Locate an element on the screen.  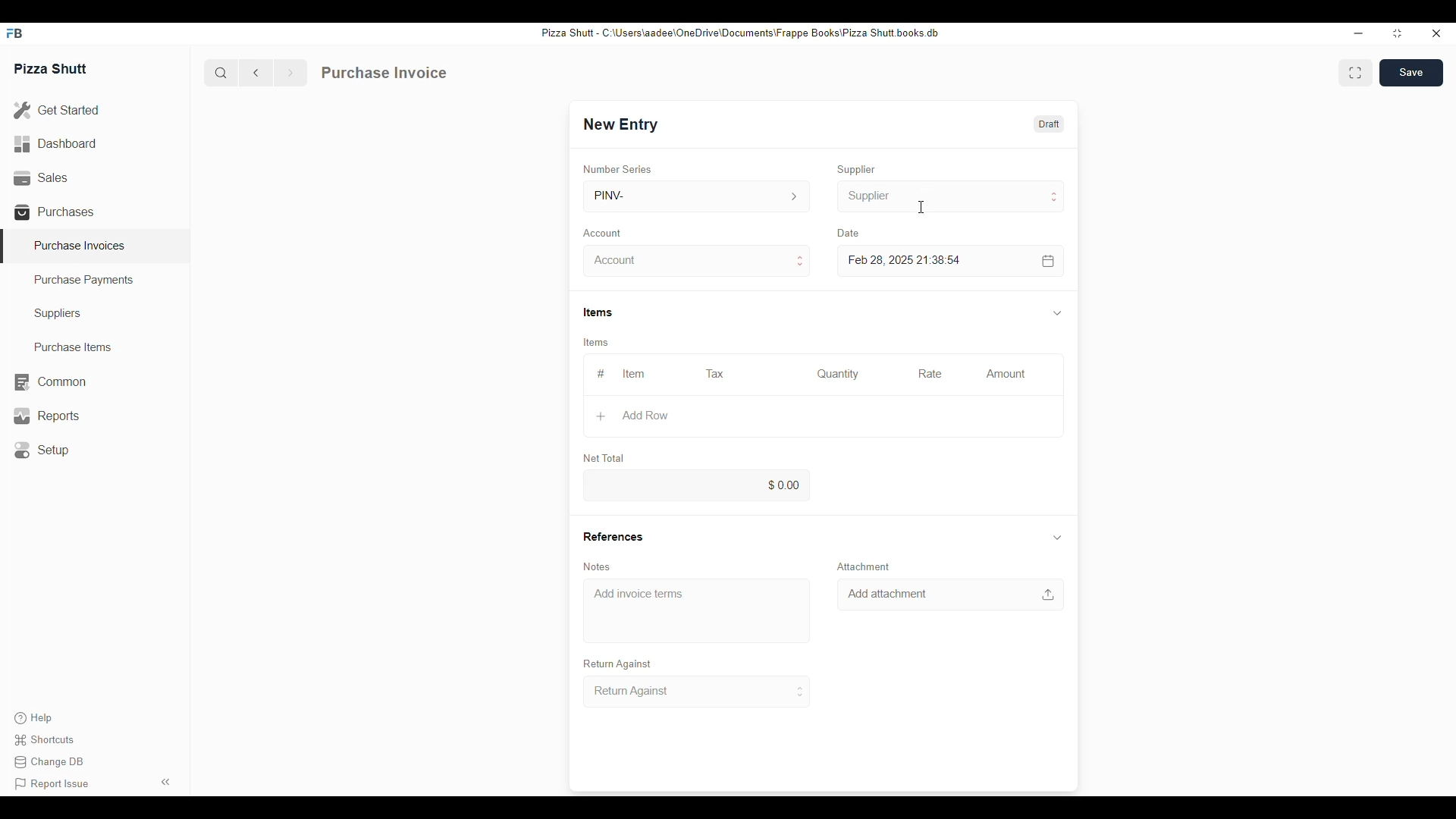
upload is located at coordinates (1050, 595).